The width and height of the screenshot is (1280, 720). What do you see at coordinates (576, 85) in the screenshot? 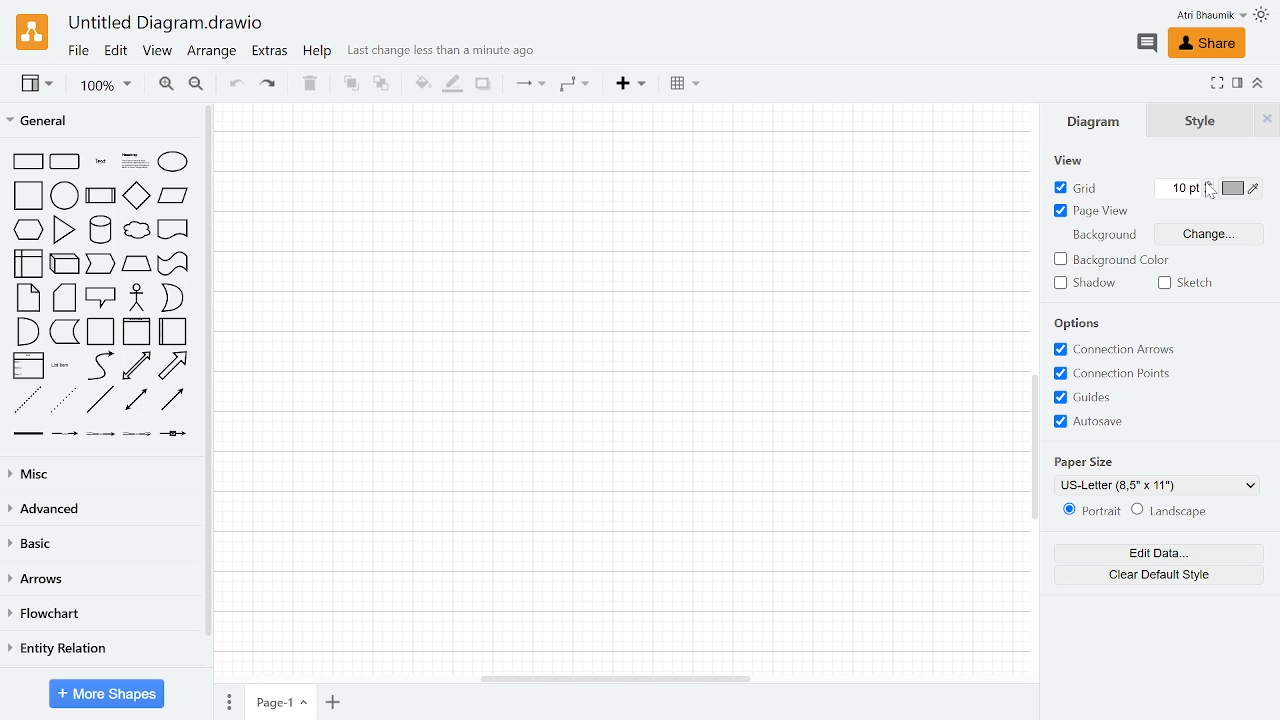
I see `Waypoints` at bounding box center [576, 85].